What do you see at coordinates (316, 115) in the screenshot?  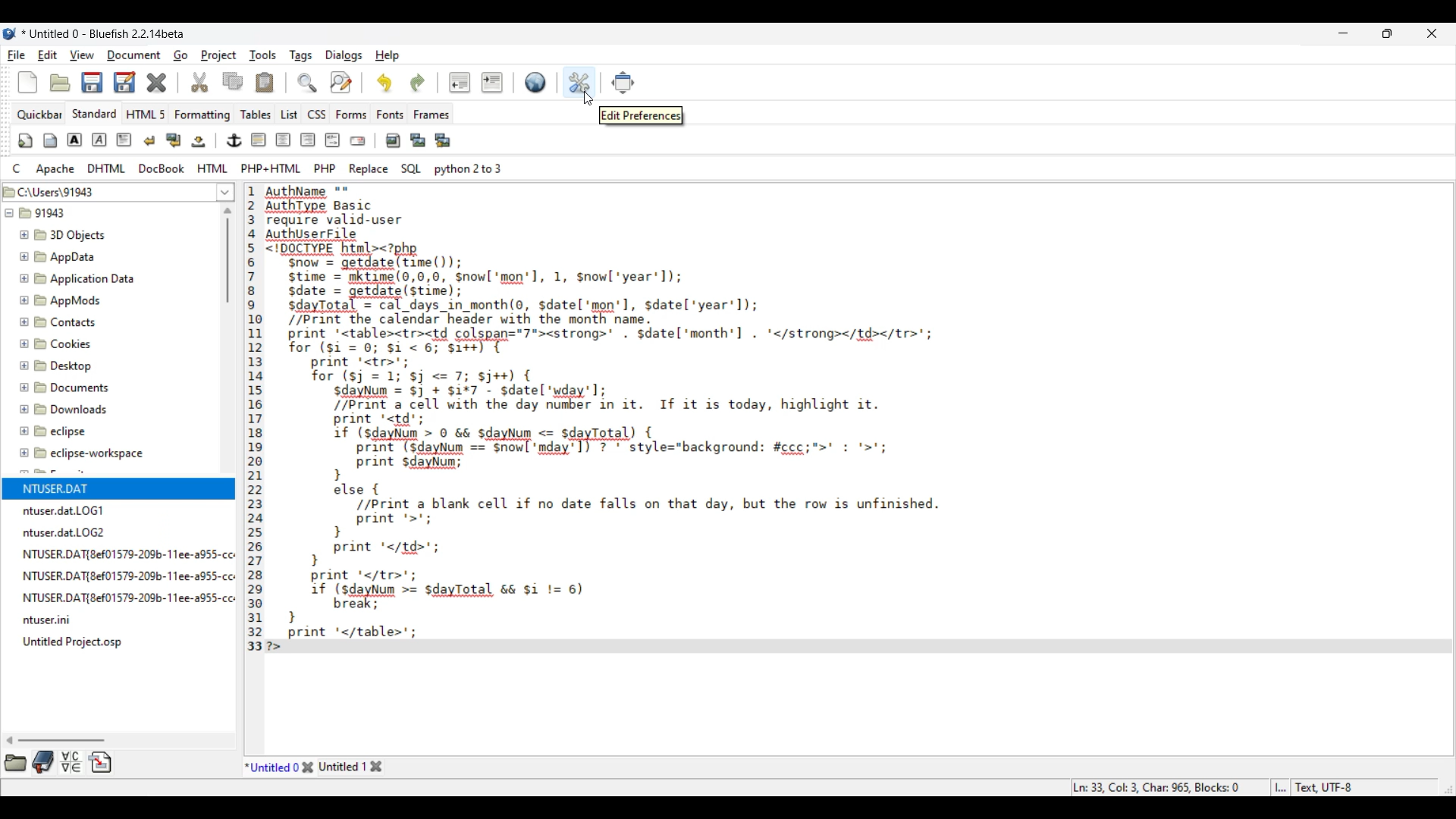 I see `CSS` at bounding box center [316, 115].